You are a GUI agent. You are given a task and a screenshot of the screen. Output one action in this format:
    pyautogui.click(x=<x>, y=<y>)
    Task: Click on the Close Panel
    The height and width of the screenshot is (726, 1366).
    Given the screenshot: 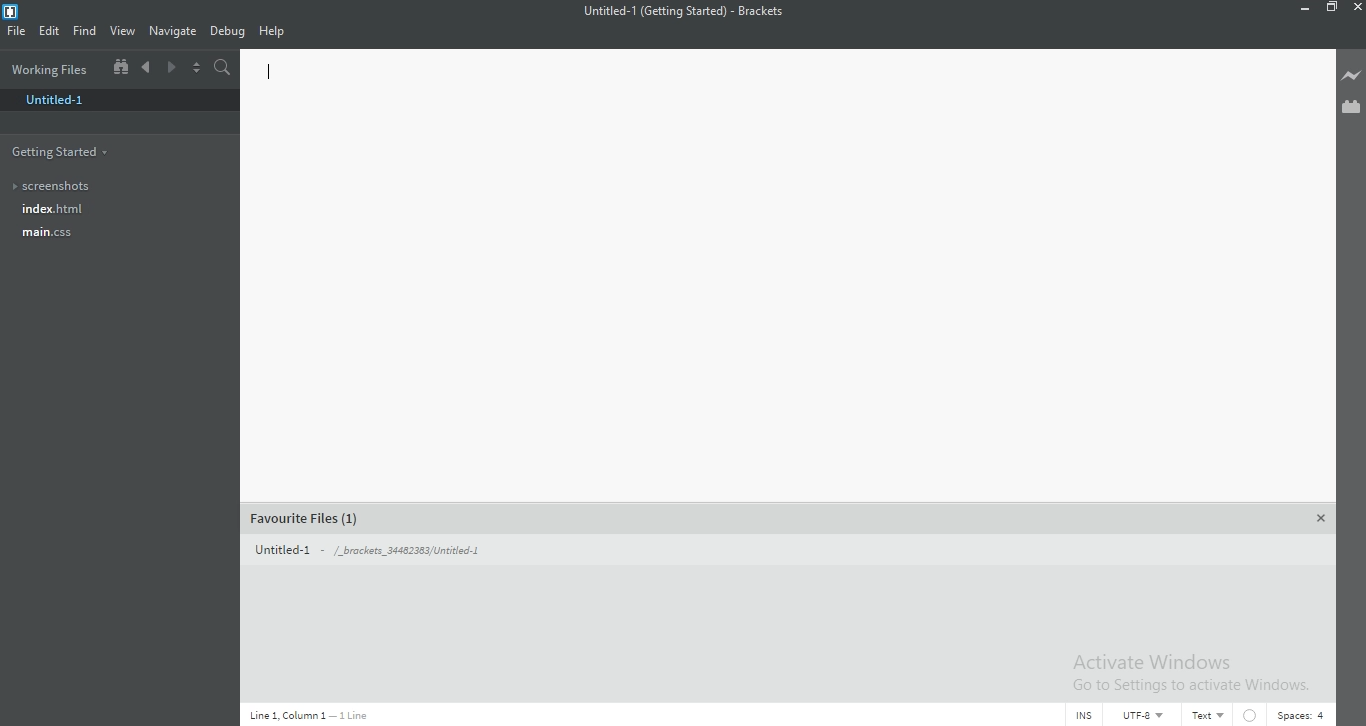 What is the action you would take?
    pyautogui.click(x=1321, y=519)
    